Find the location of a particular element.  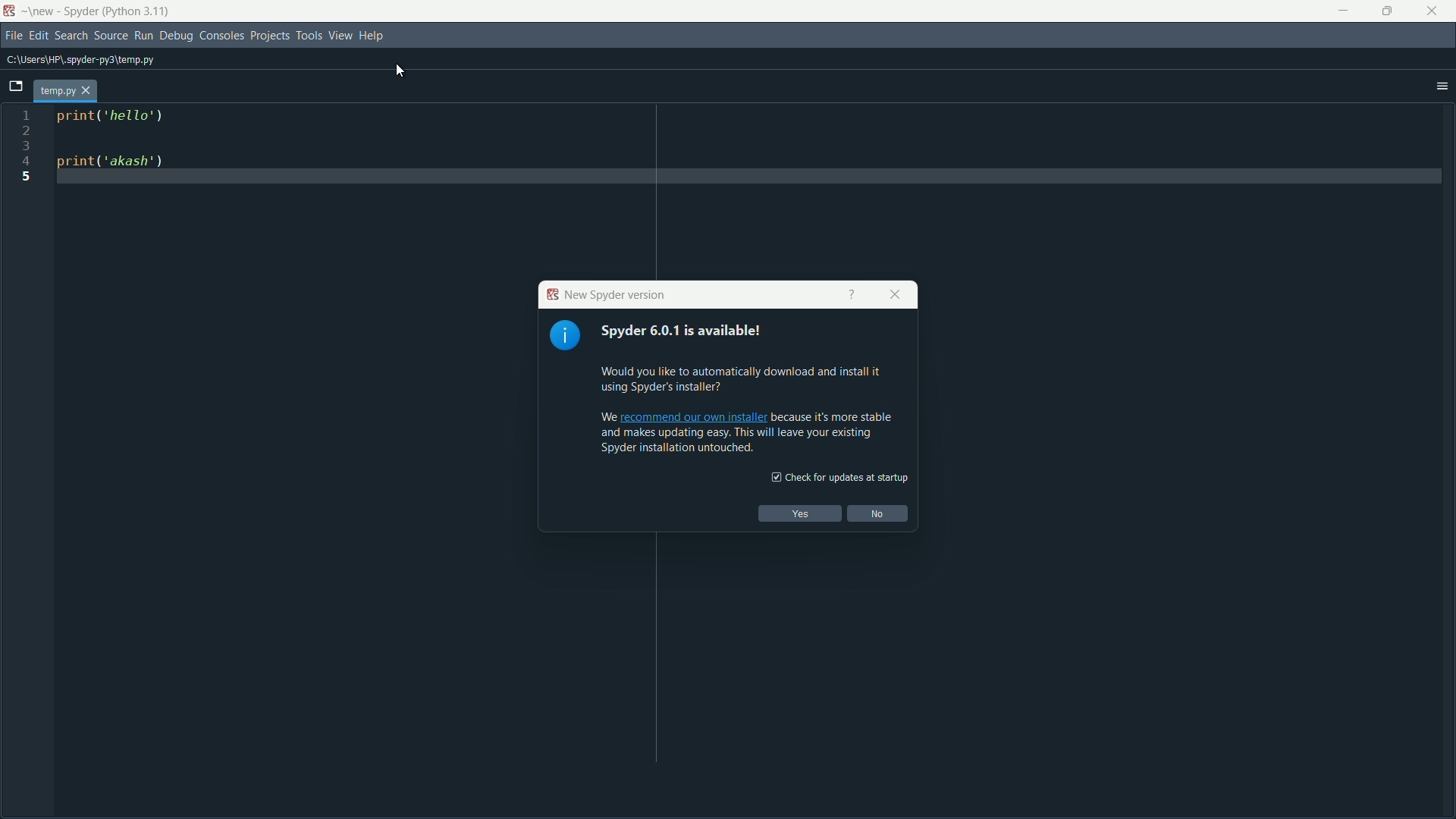

tools menu is located at coordinates (309, 35).